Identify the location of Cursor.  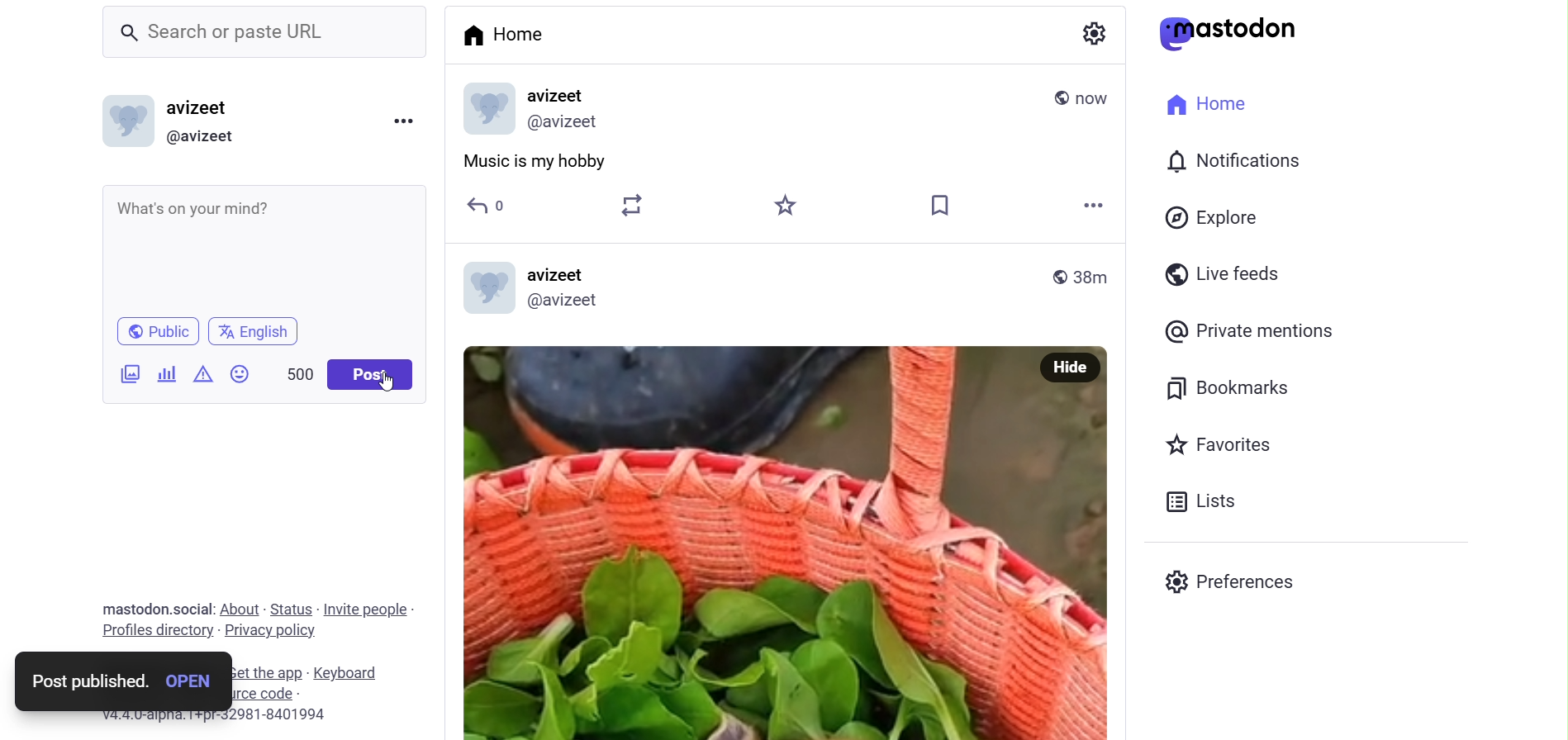
(388, 382).